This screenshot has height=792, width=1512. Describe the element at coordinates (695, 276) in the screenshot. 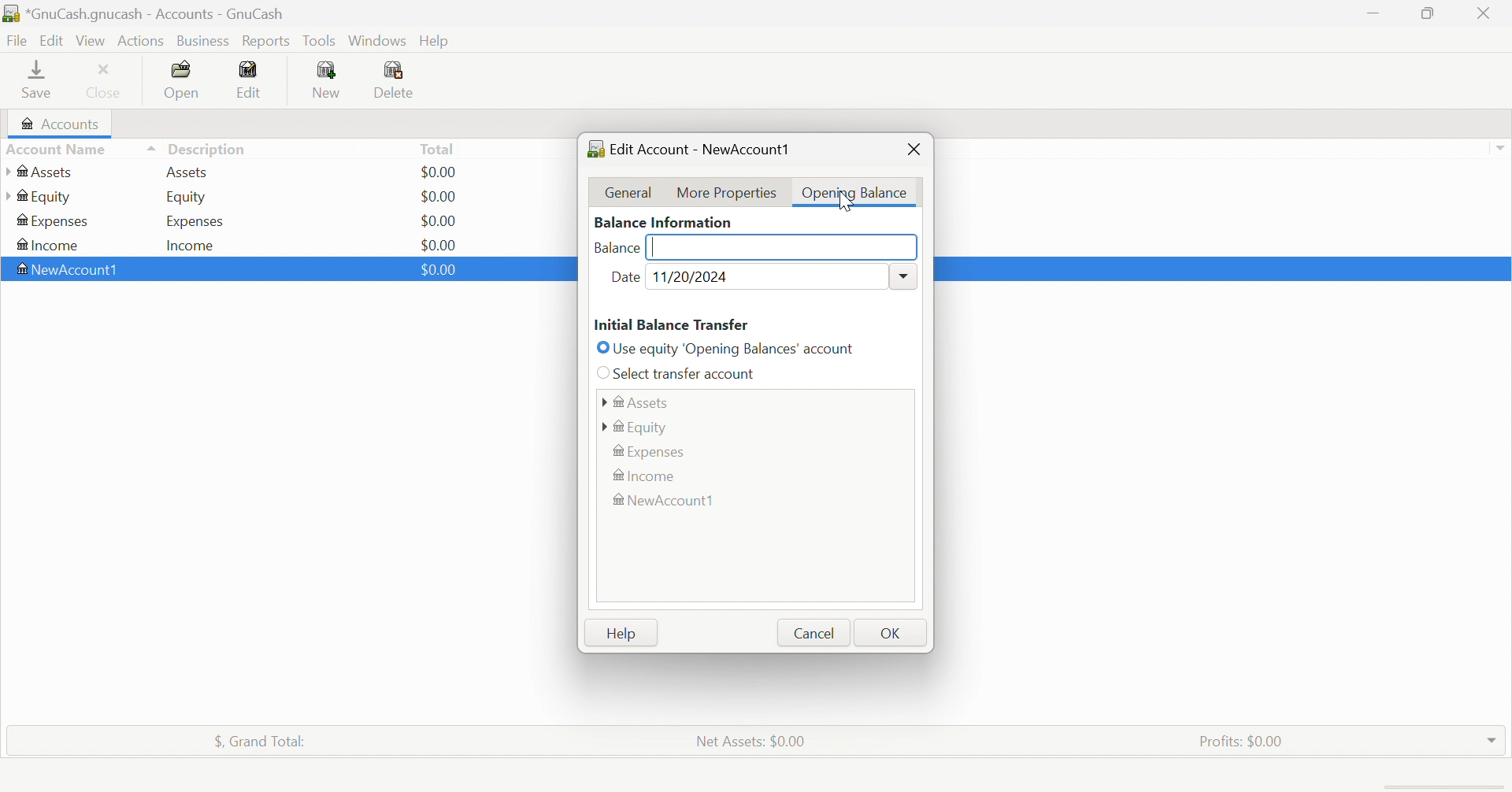

I see `11/20/2024` at that location.